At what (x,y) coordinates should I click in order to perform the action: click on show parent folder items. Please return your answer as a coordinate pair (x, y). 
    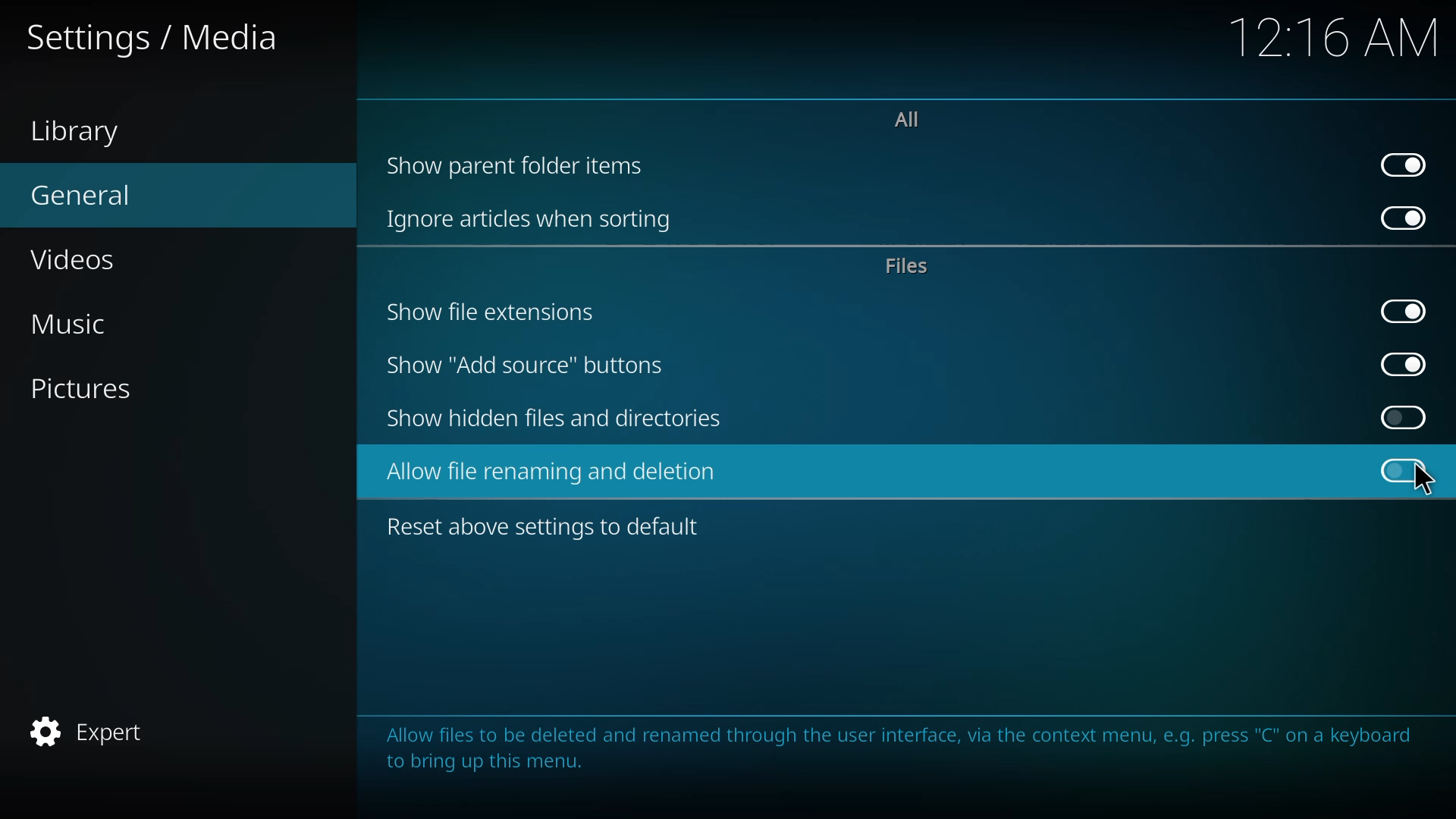
    Looking at the image, I should click on (517, 165).